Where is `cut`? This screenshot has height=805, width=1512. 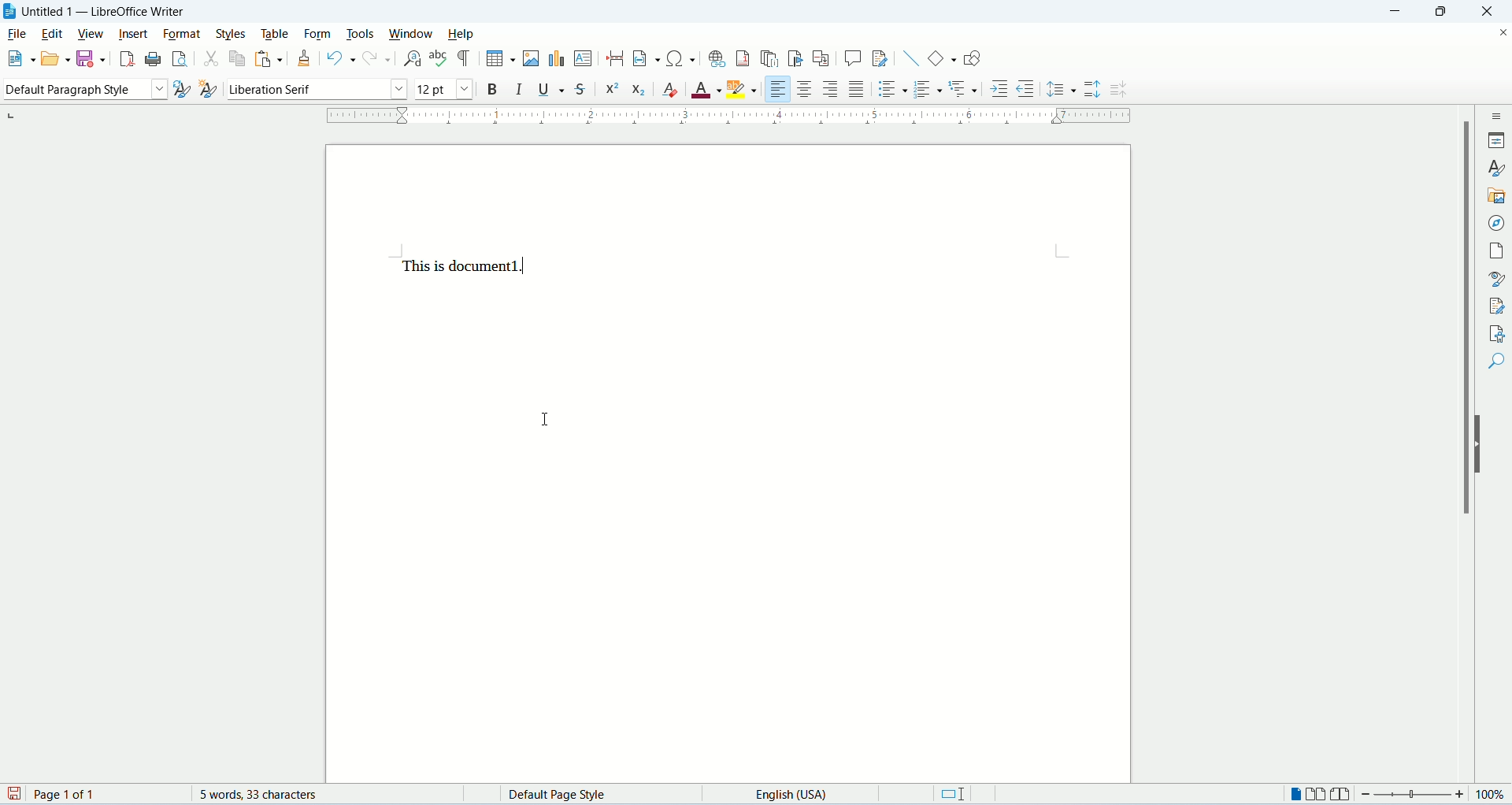 cut is located at coordinates (210, 61).